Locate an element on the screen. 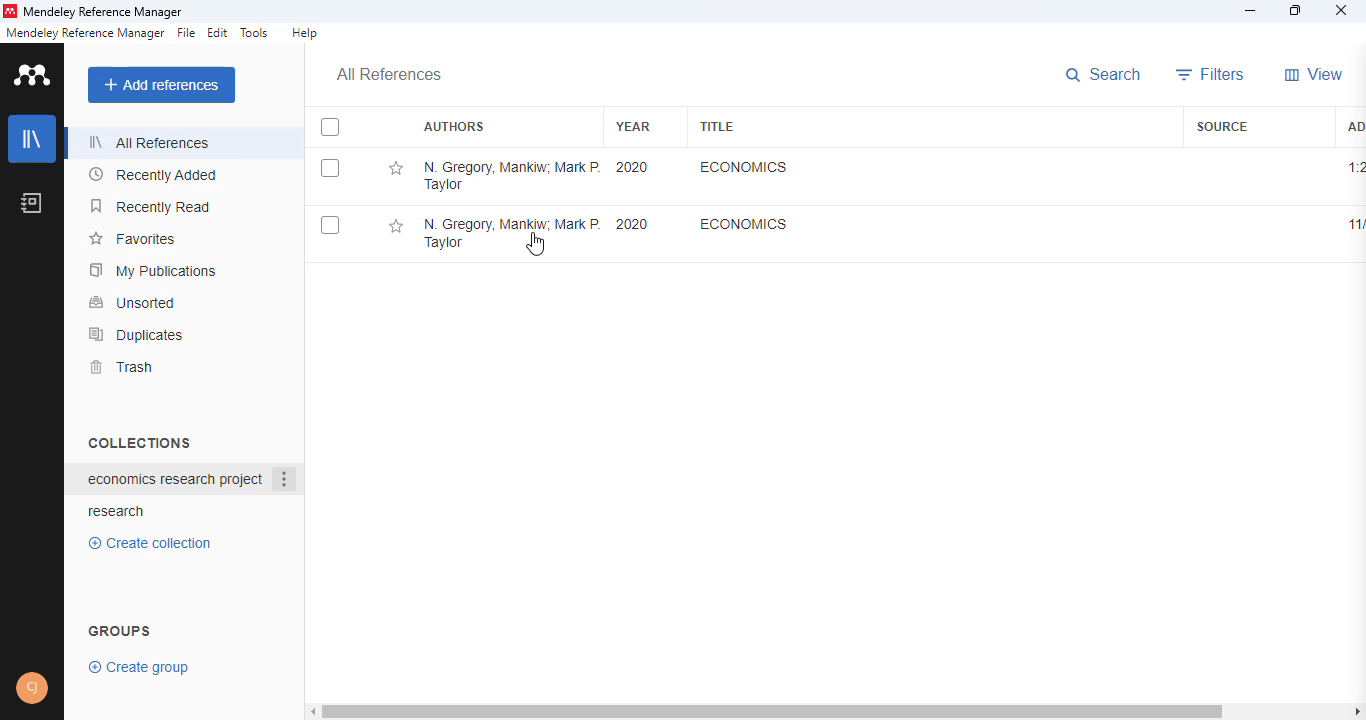 The width and height of the screenshot is (1366, 720). my publications is located at coordinates (154, 270).